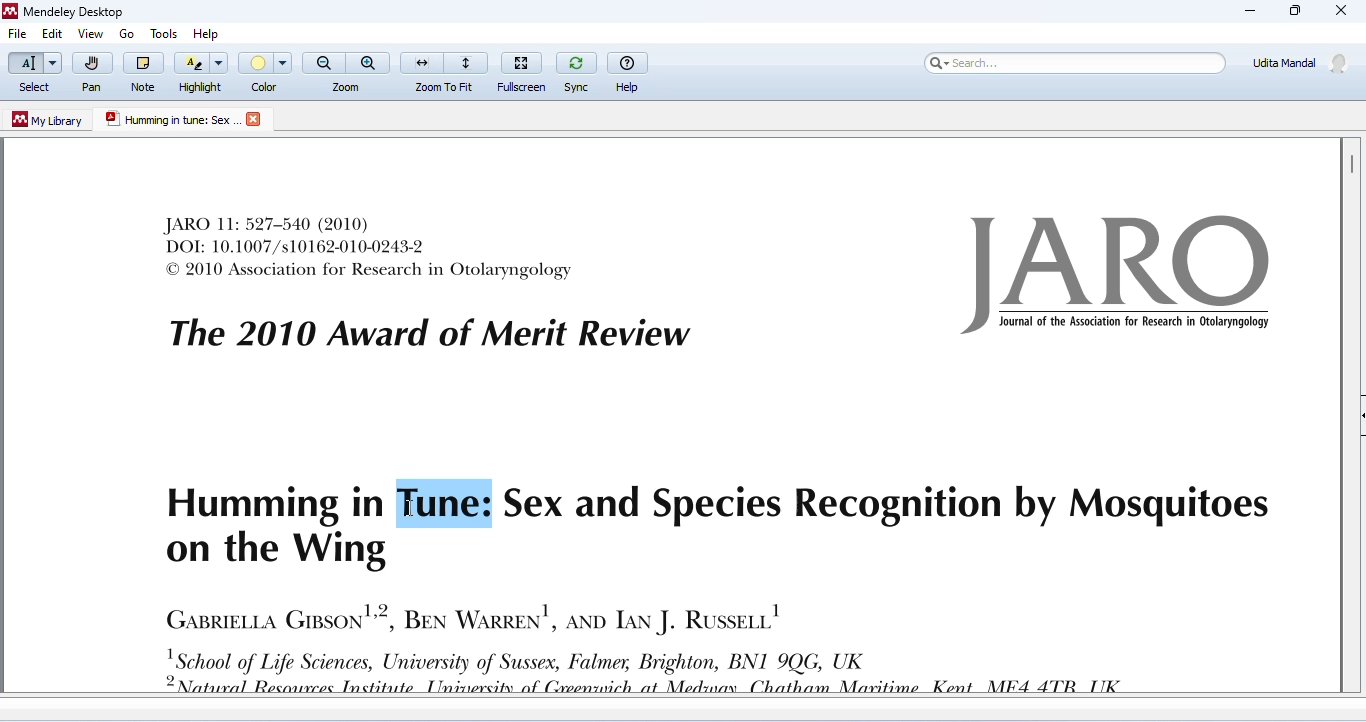 The image size is (1366, 722). I want to click on help, so click(211, 30).